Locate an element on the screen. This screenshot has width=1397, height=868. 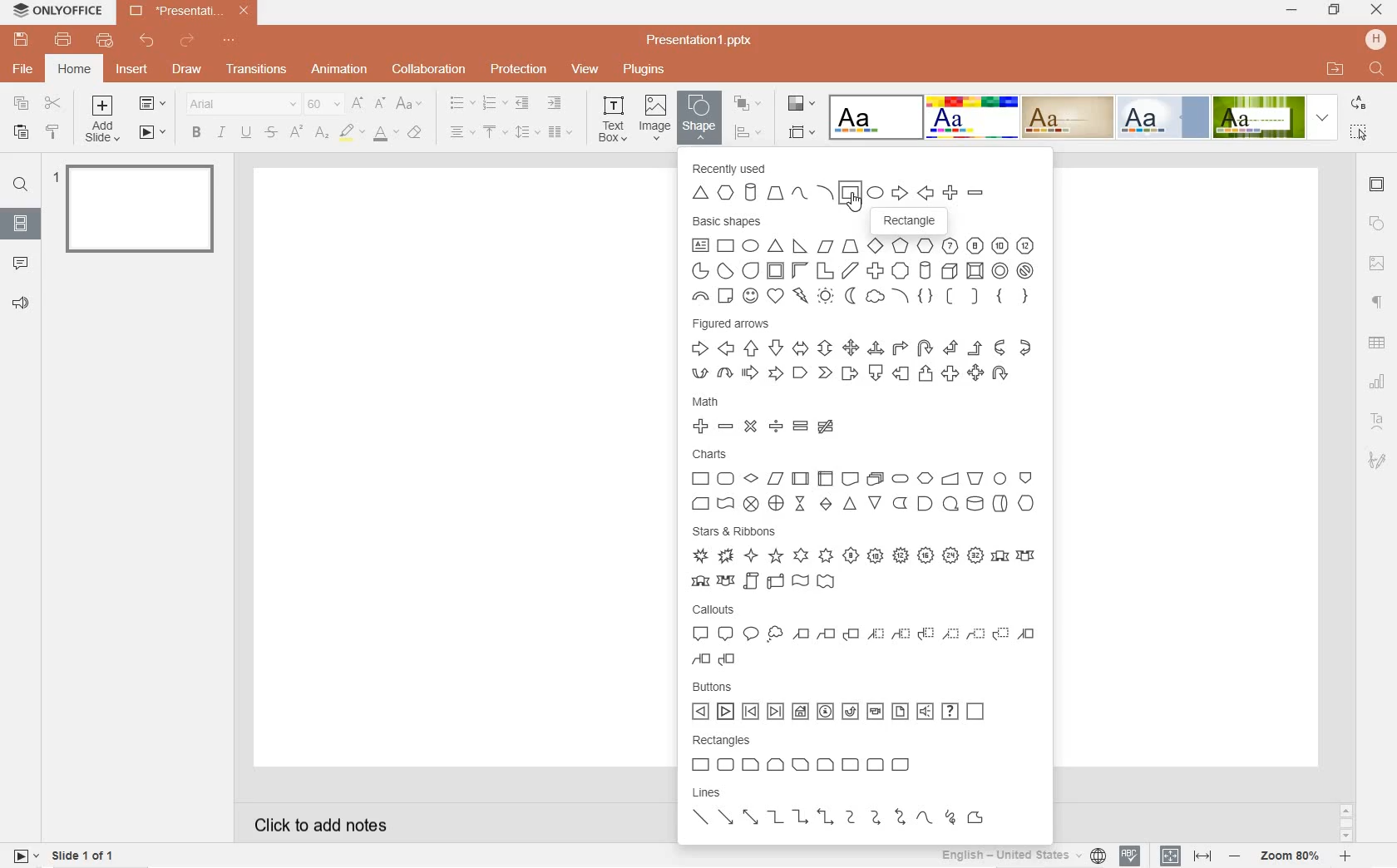
Rectangle is located at coordinates (851, 191).